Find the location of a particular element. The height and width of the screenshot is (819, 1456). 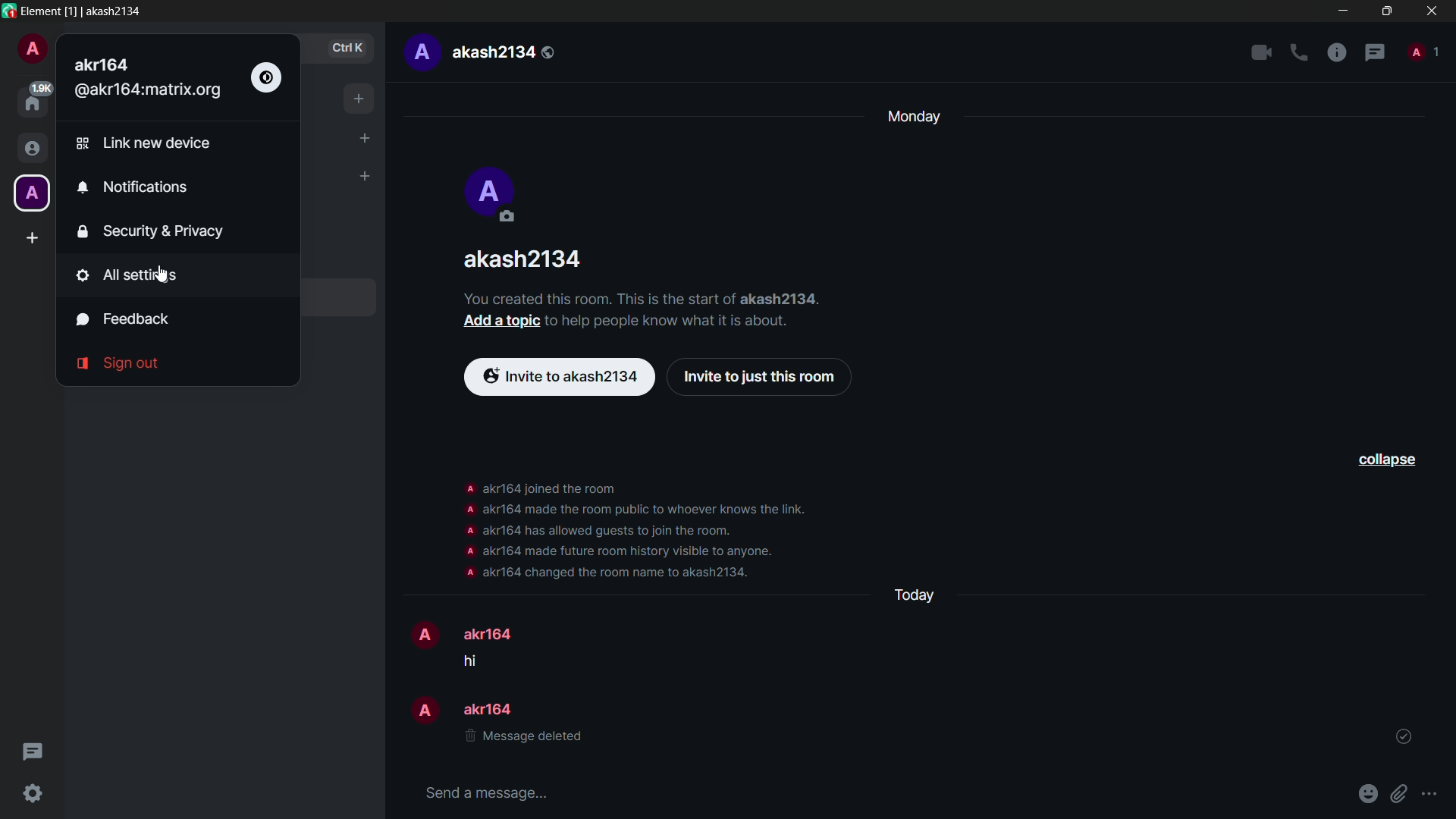

profile is located at coordinates (422, 633).